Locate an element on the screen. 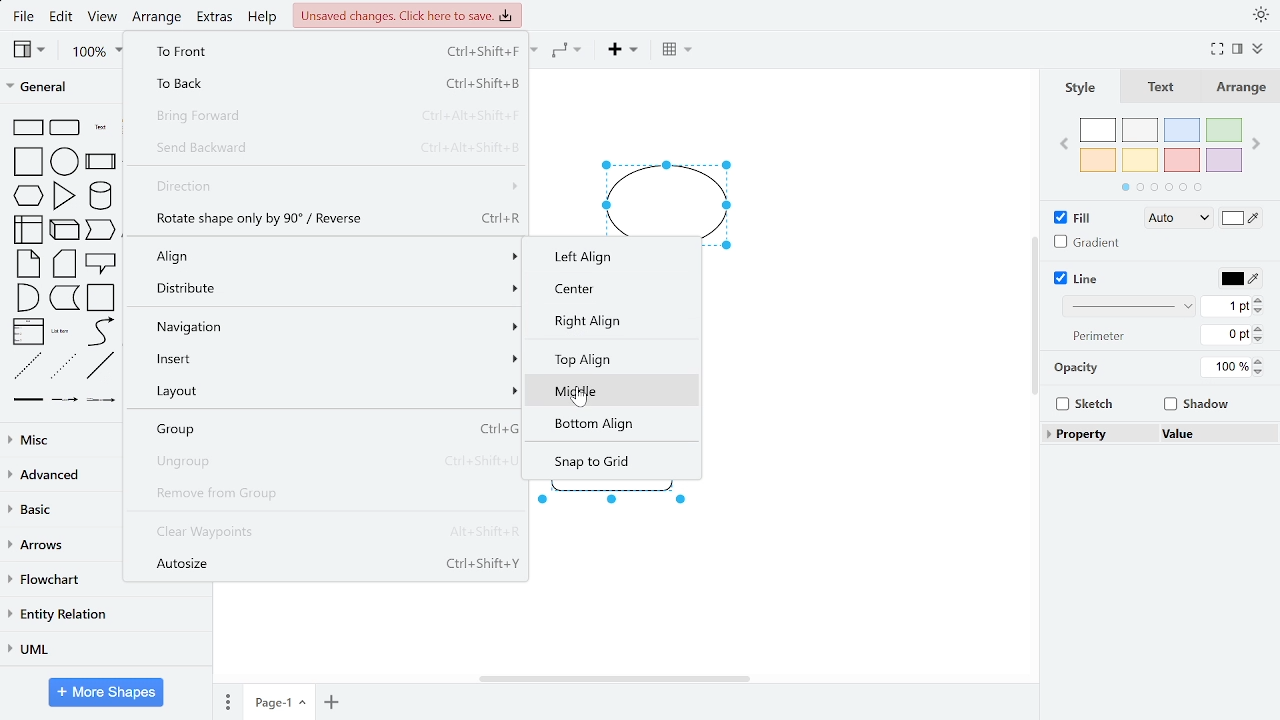 This screenshot has width=1280, height=720. remove from the group is located at coordinates (326, 494).